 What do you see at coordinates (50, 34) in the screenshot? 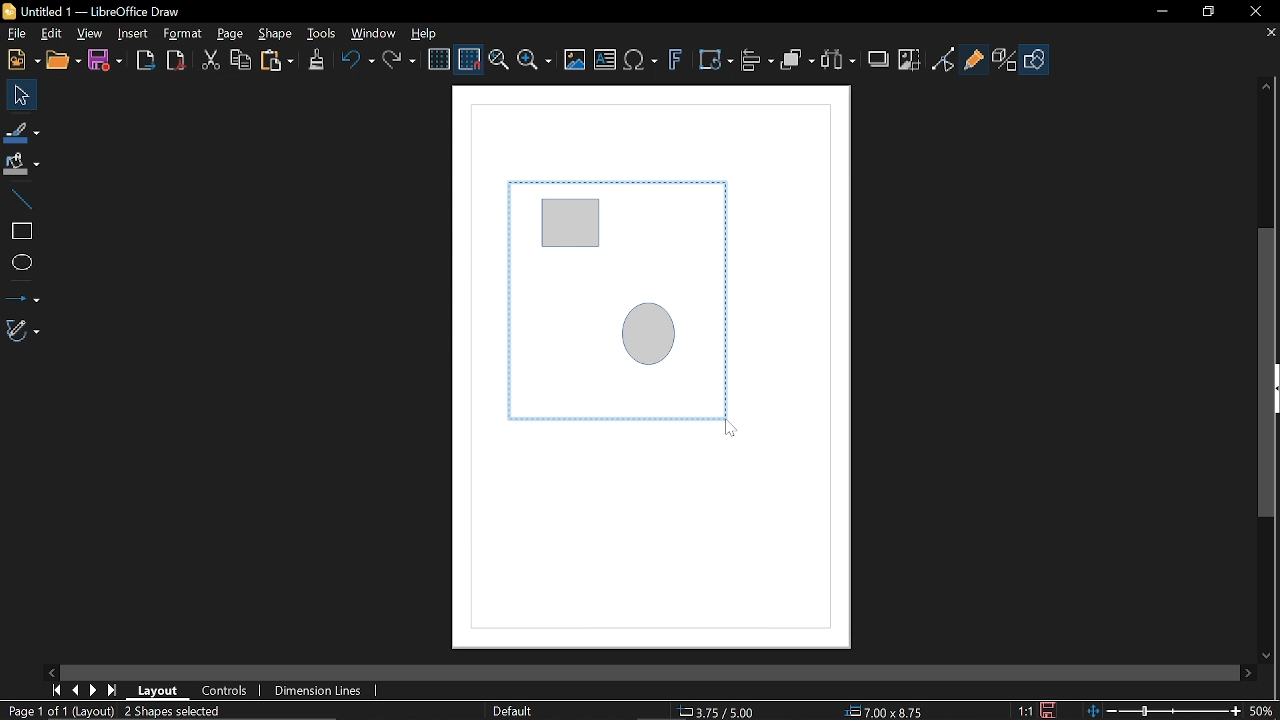
I see `Edit` at bounding box center [50, 34].